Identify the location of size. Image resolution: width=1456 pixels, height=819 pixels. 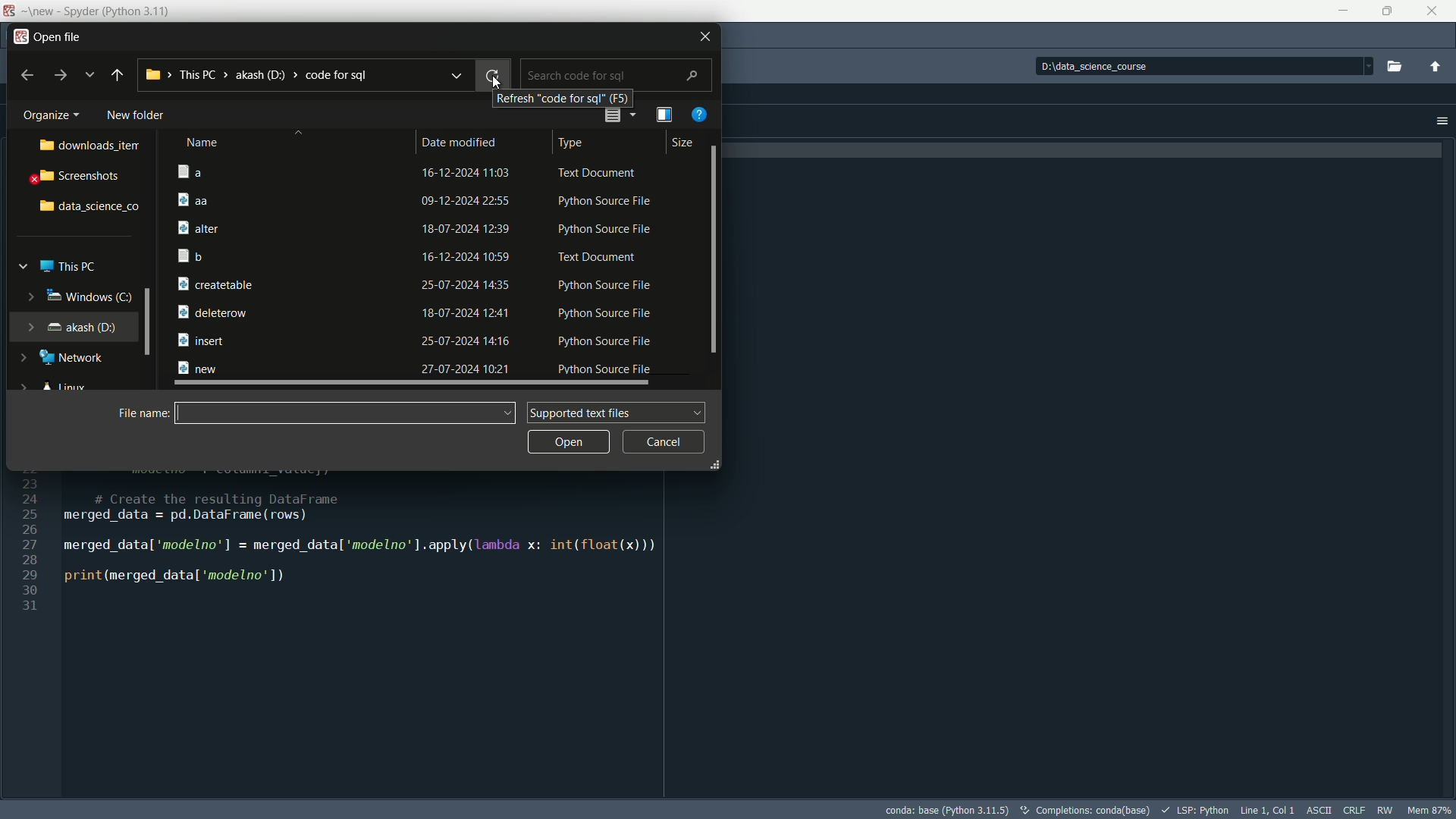
(683, 143).